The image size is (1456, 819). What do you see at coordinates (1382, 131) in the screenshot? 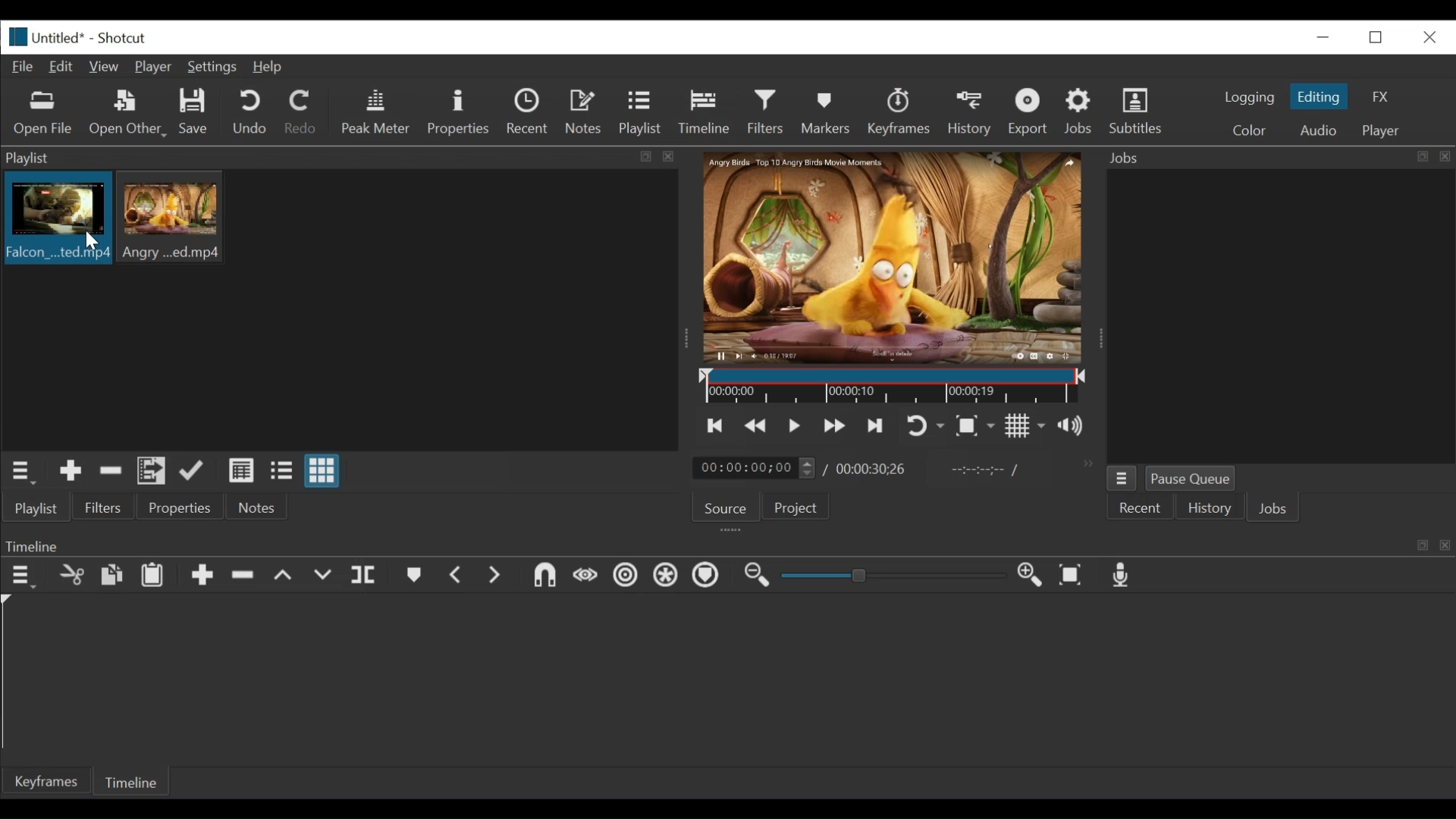
I see `player` at bounding box center [1382, 131].